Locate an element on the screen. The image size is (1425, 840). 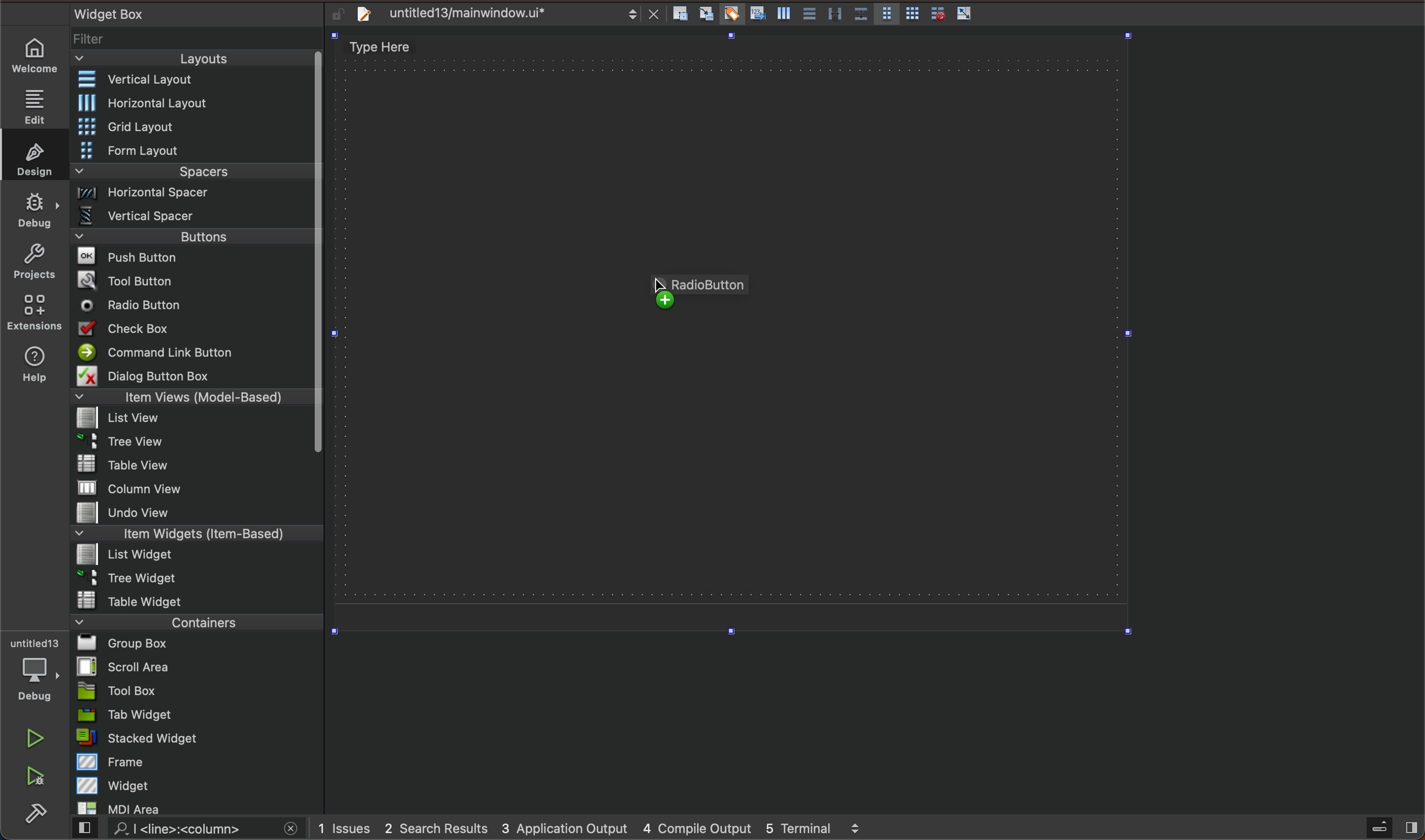
 is located at coordinates (913, 15).